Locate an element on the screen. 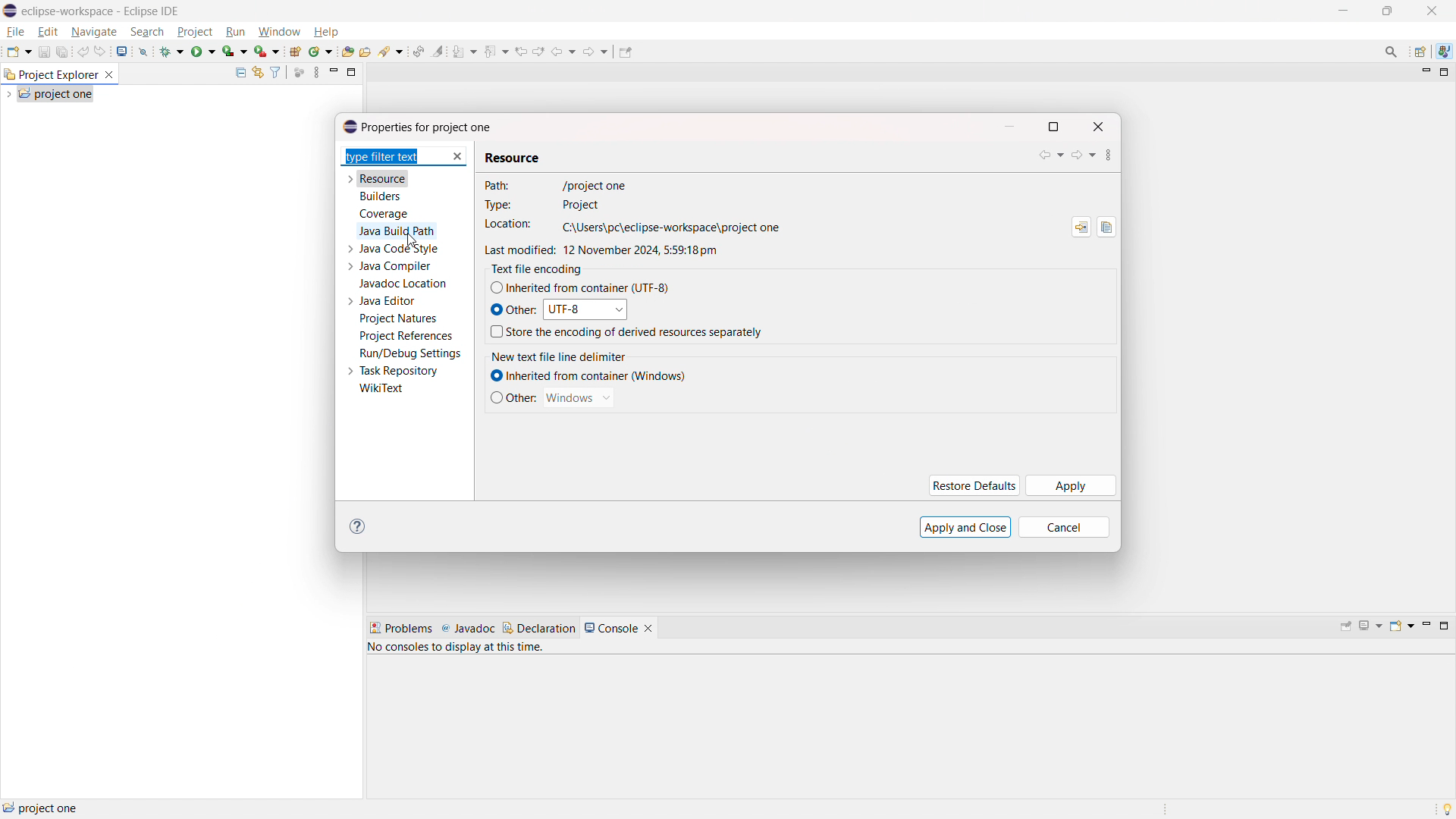 The height and width of the screenshot is (819, 1456). edit is located at coordinates (48, 33).